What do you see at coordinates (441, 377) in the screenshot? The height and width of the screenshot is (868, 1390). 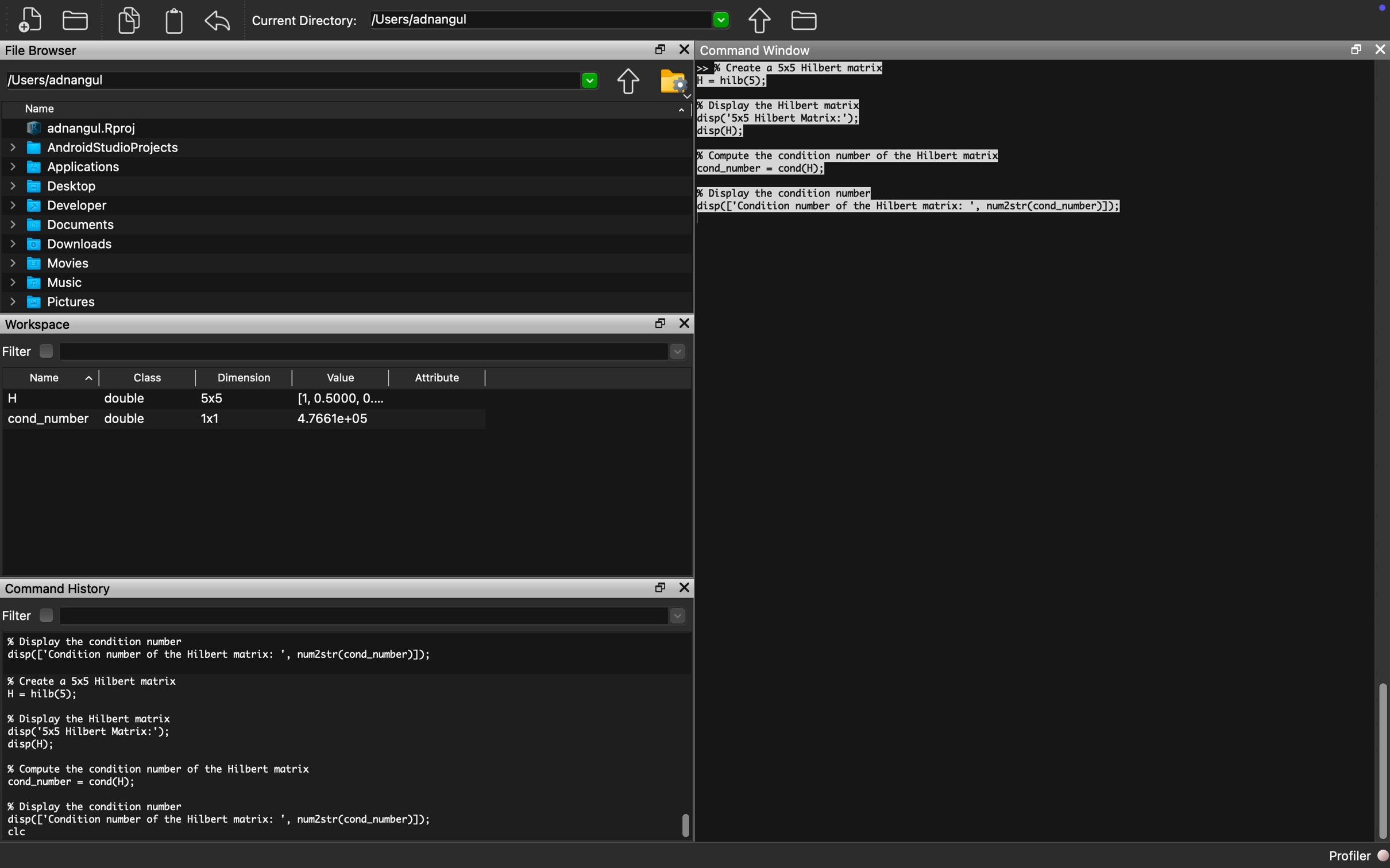 I see `Attribute` at bounding box center [441, 377].